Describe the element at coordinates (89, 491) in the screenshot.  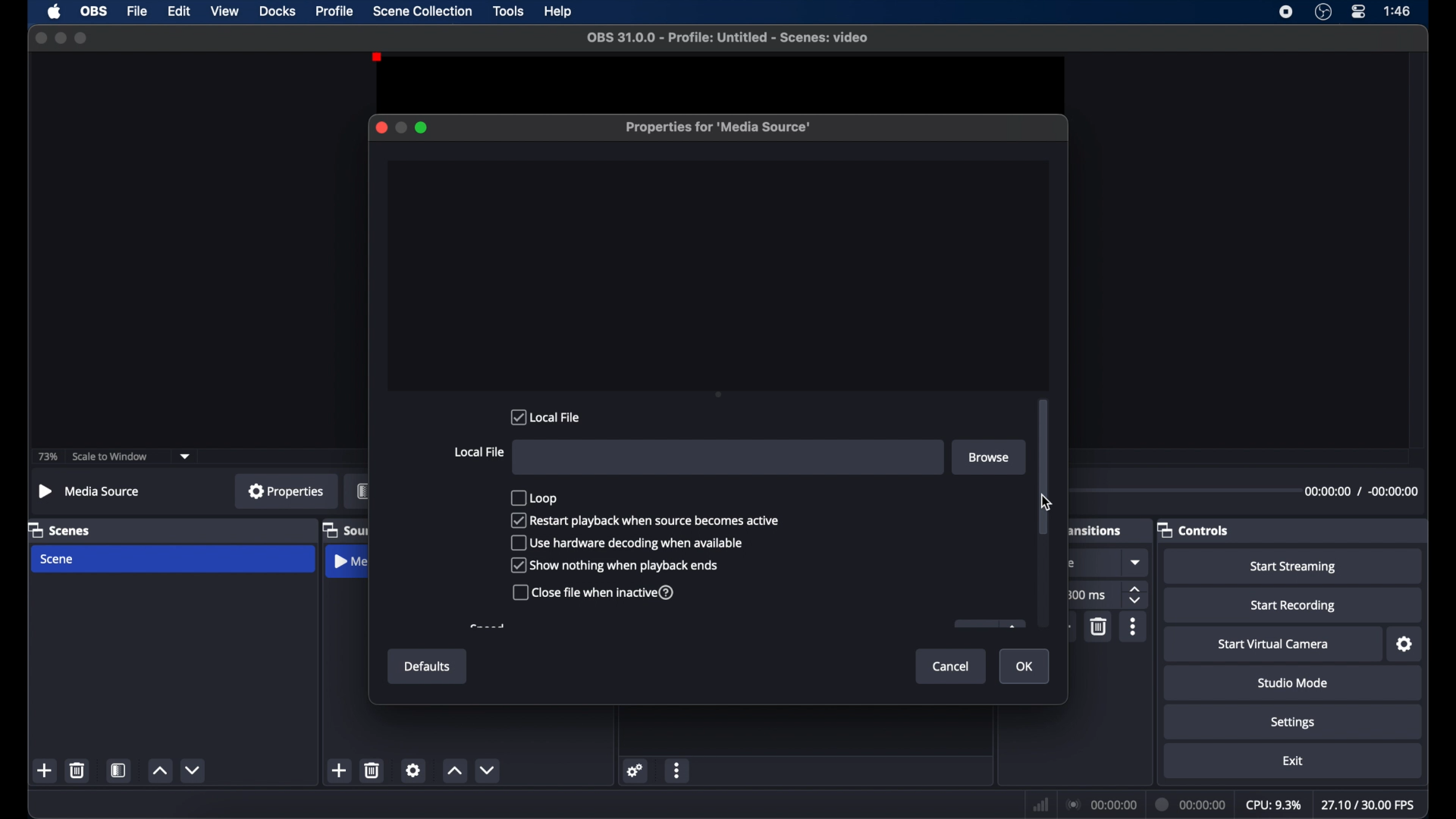
I see `no source selected` at that location.